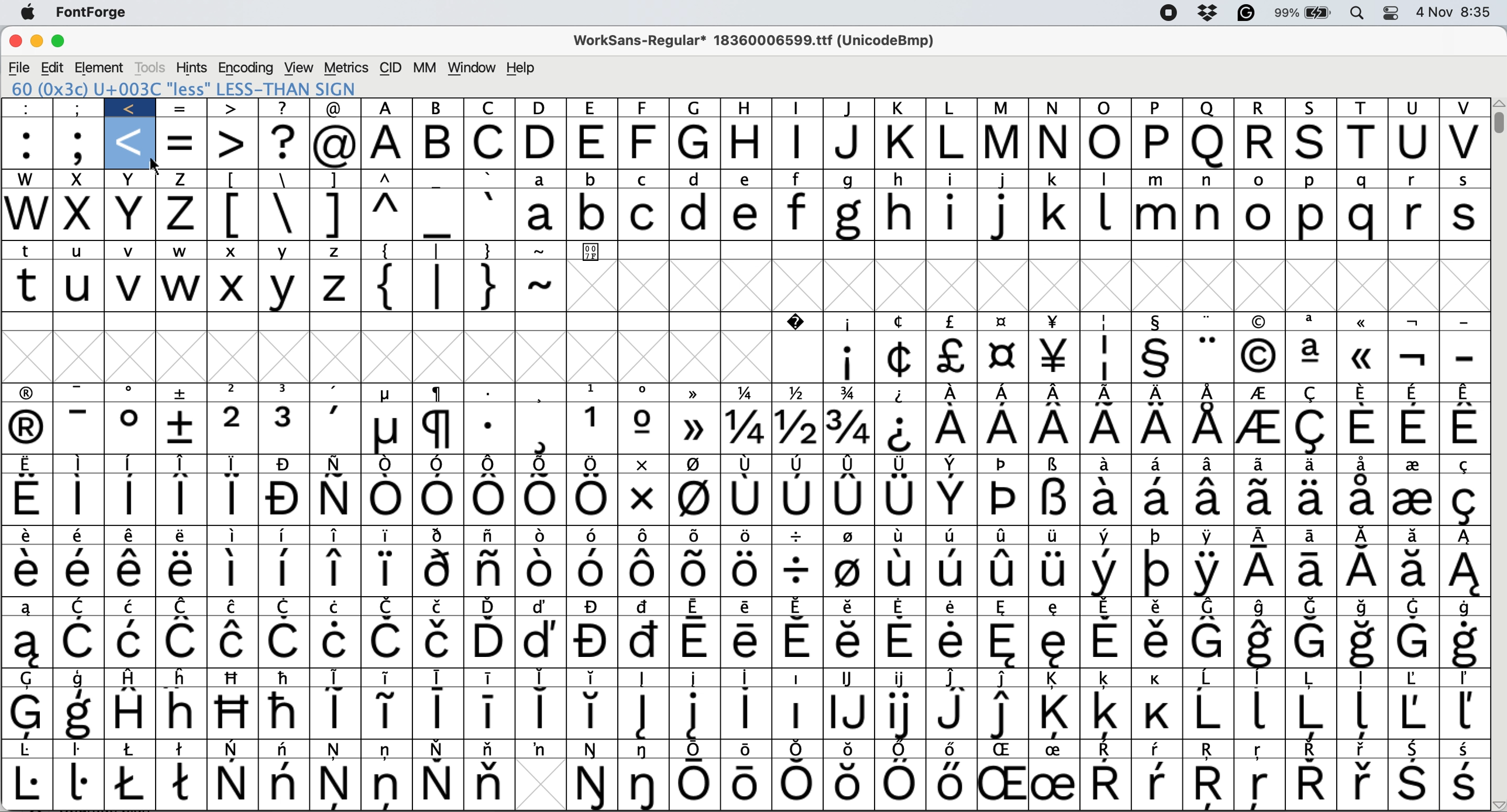 Image resolution: width=1507 pixels, height=812 pixels. Describe the element at coordinates (699, 748) in the screenshot. I see `Symbol` at that location.